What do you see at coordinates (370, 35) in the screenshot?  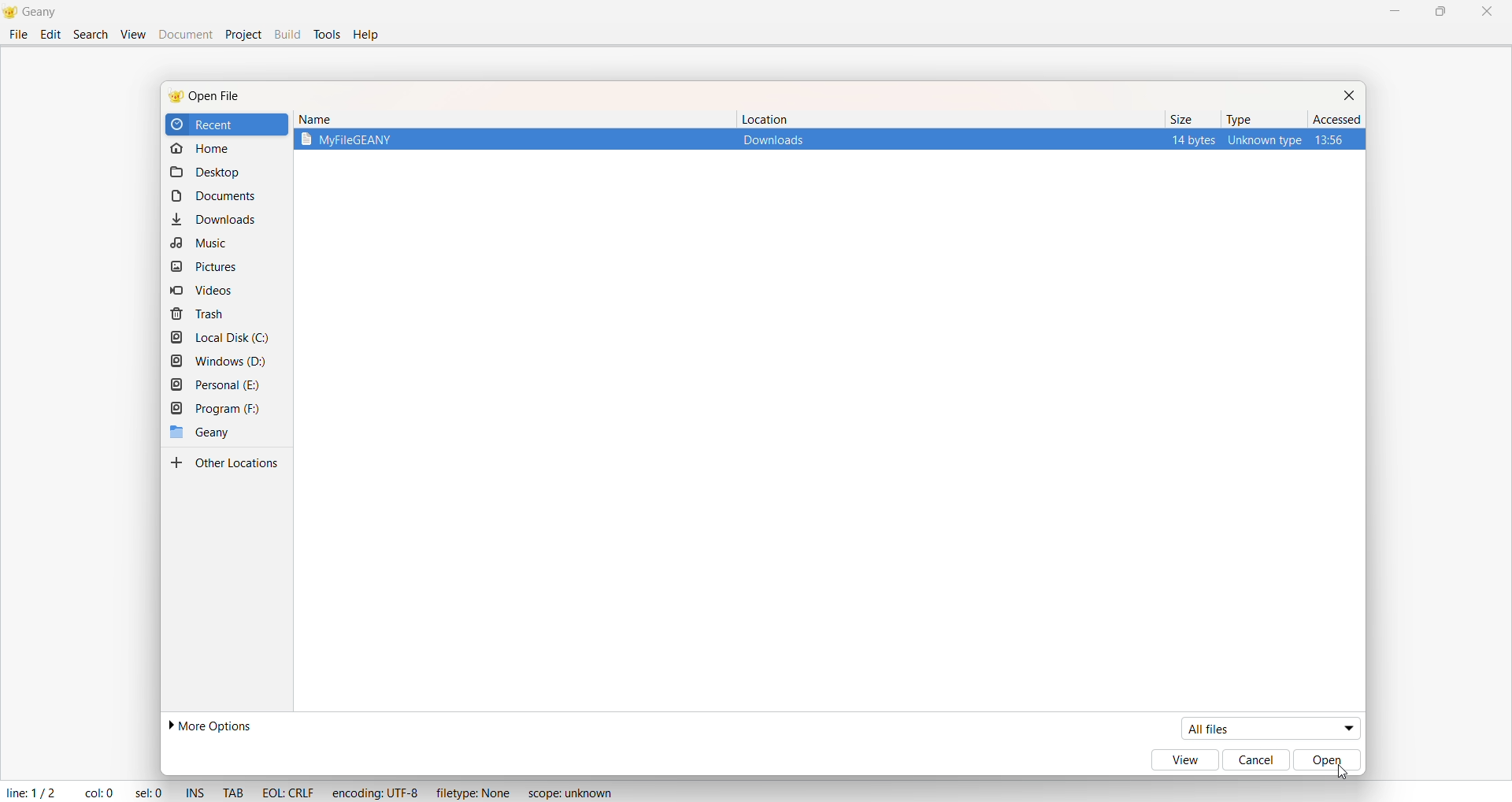 I see `help` at bounding box center [370, 35].